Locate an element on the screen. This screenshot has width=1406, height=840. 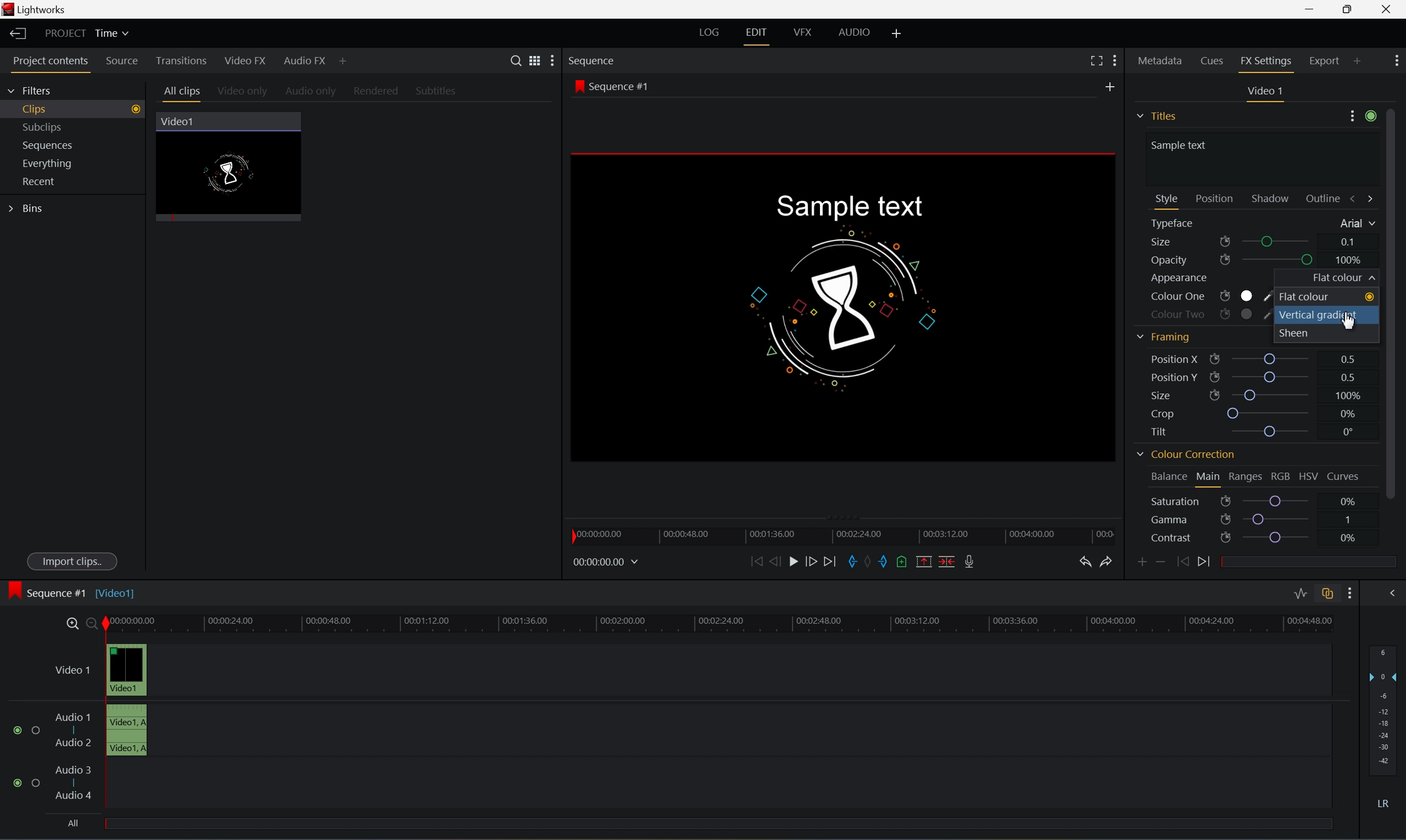
 is located at coordinates (41, 181).